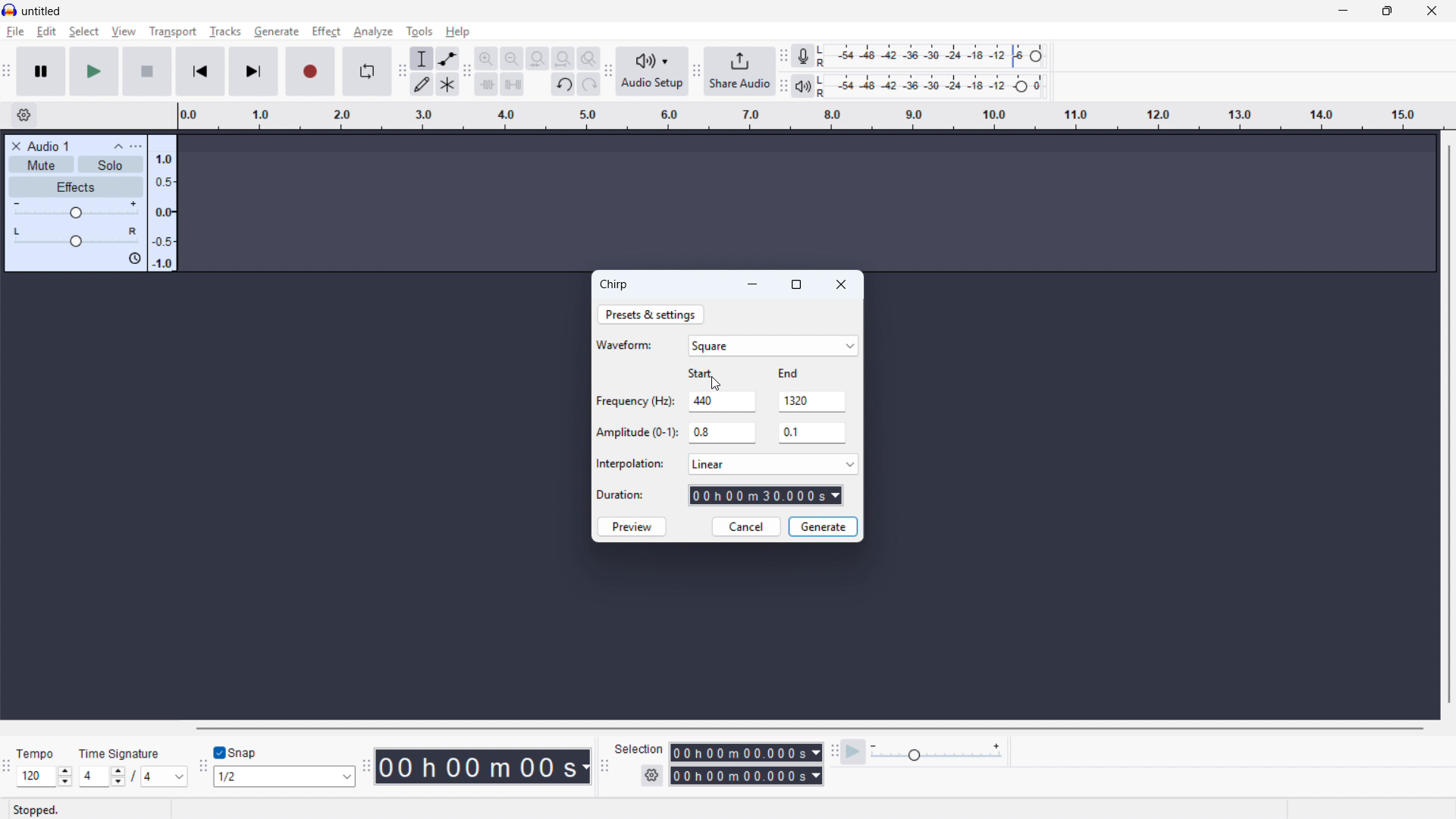  Describe the element at coordinates (486, 58) in the screenshot. I see `Zoom in ` at that location.